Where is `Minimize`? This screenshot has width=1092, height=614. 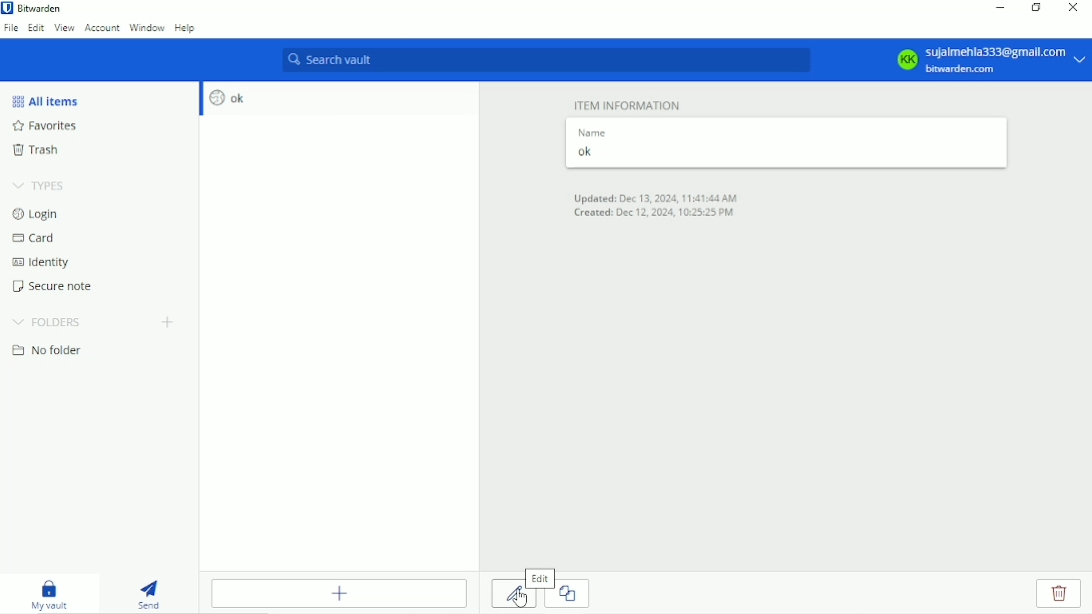 Minimize is located at coordinates (1000, 8).